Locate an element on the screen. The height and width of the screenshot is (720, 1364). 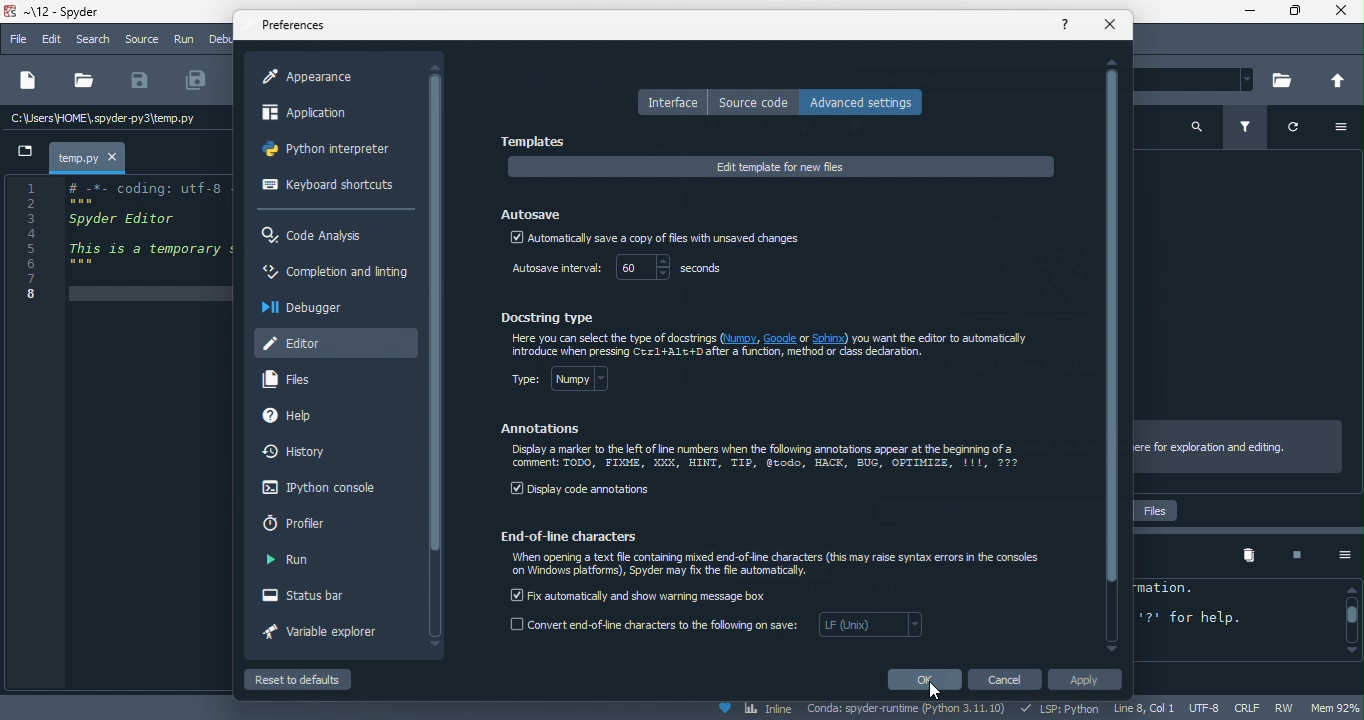
temp.py is located at coordinates (78, 157).